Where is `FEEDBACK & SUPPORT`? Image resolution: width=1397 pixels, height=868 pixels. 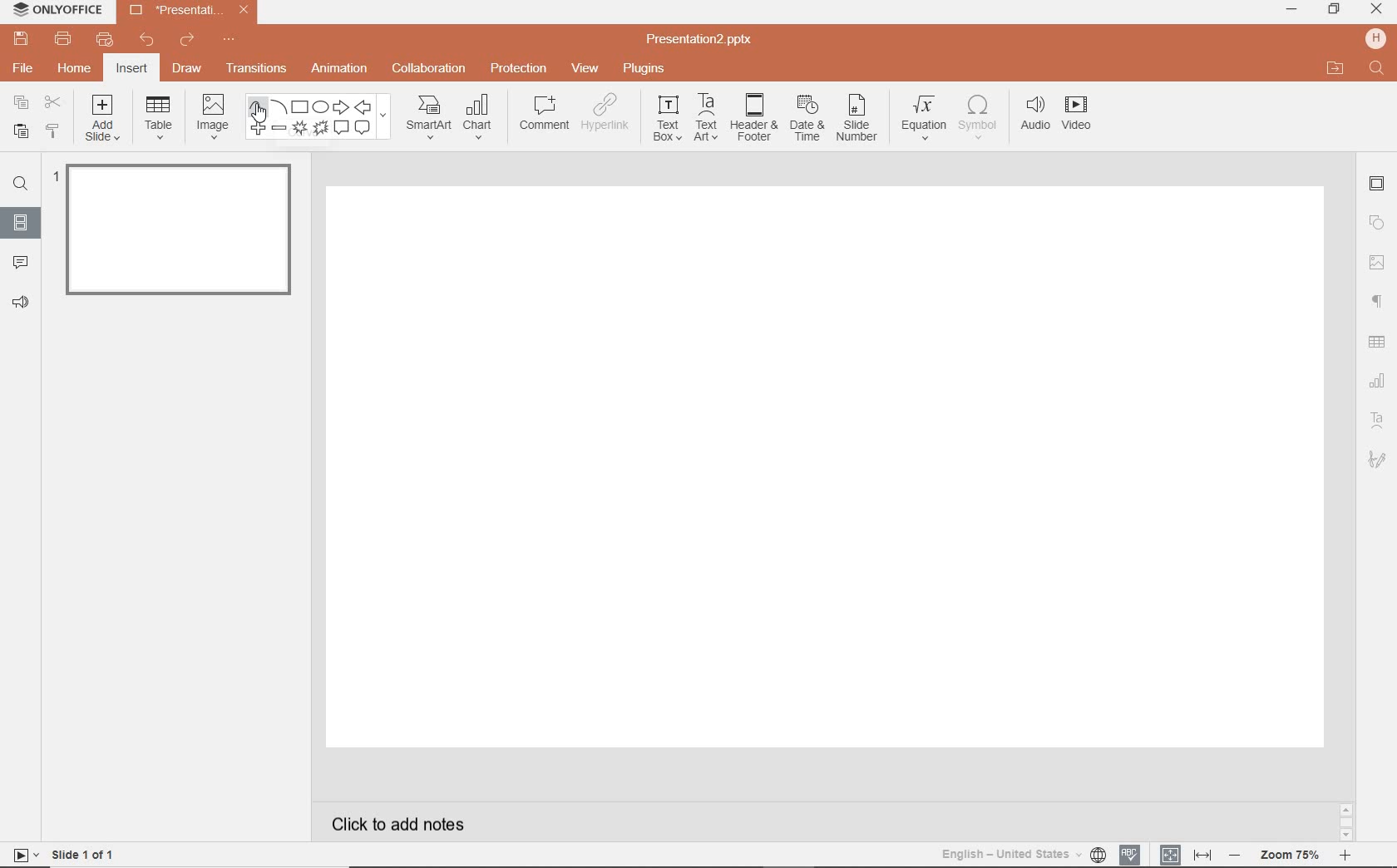
FEEDBACK & SUPPORT is located at coordinates (20, 303).